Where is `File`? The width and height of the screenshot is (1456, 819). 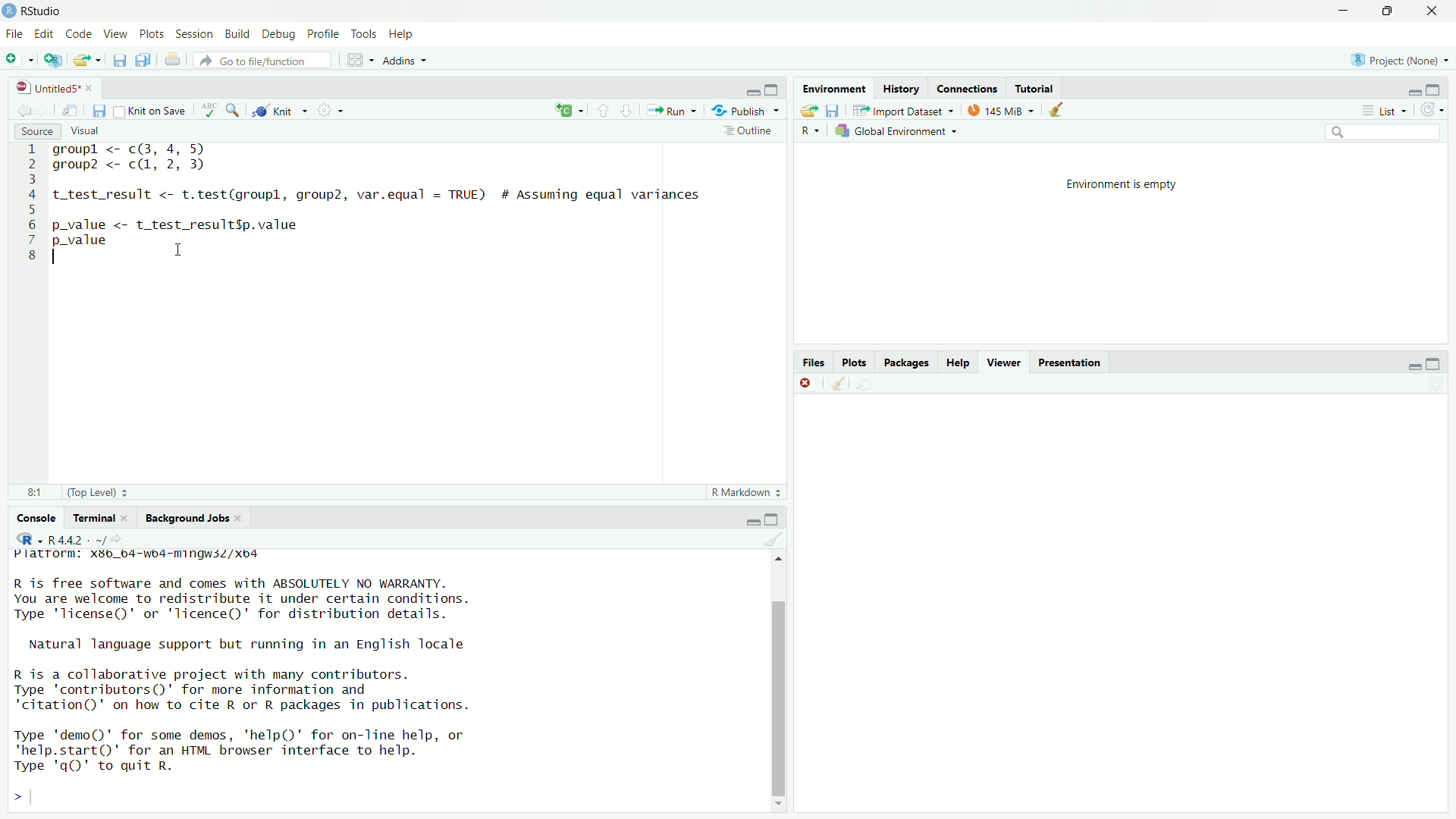
File is located at coordinates (14, 34).